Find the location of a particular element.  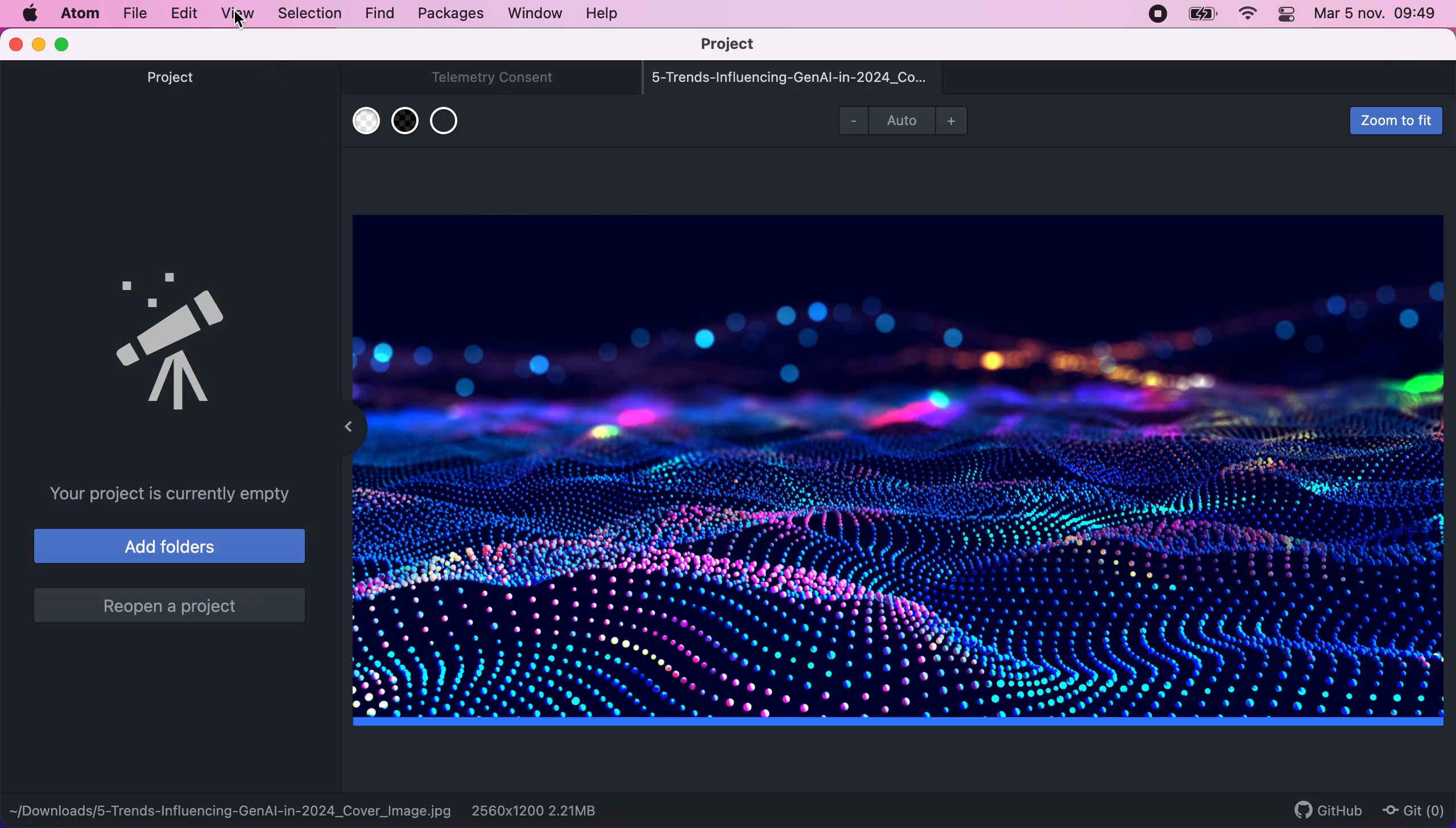

help is located at coordinates (607, 13).